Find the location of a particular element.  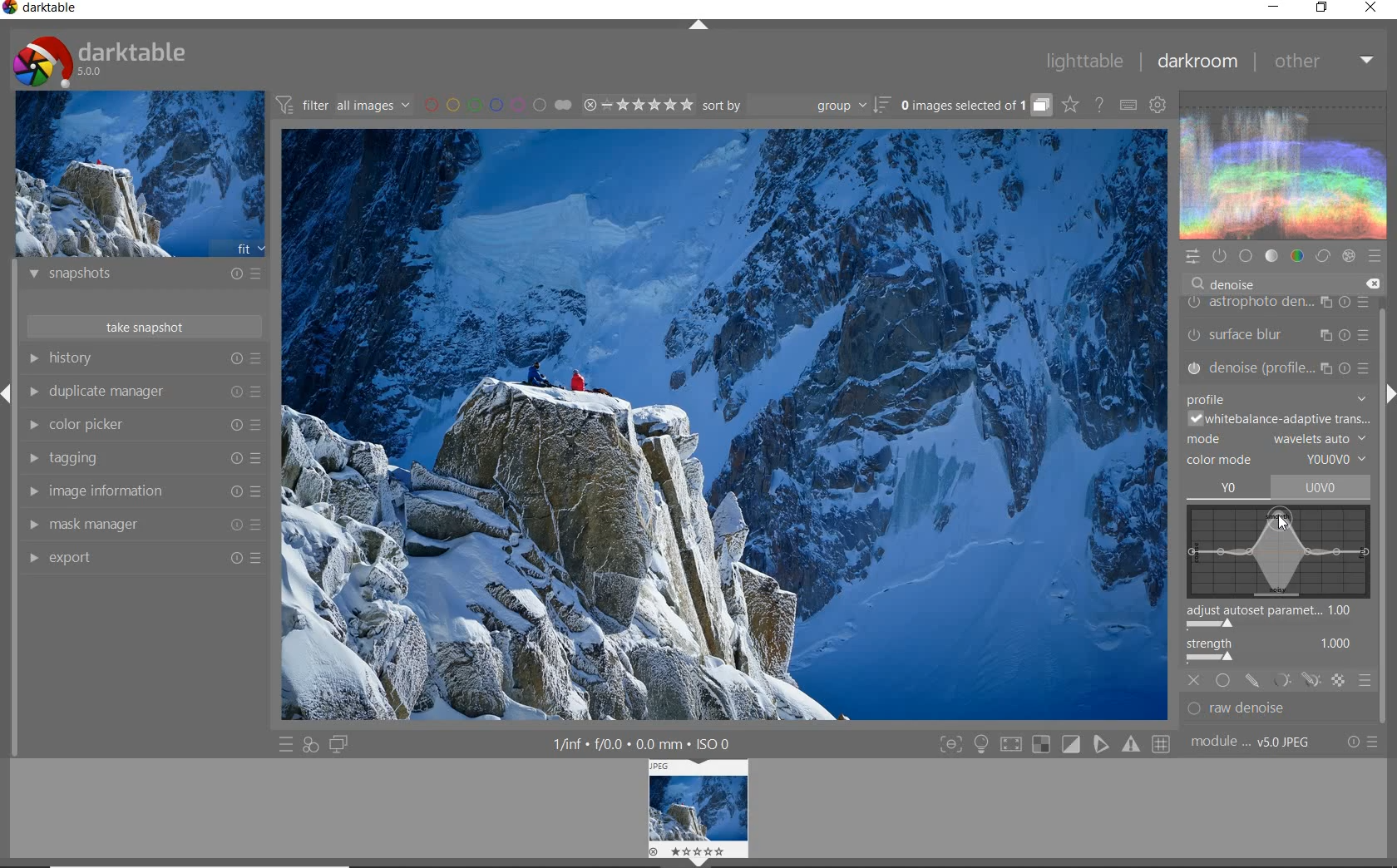

tone is located at coordinates (1271, 255).